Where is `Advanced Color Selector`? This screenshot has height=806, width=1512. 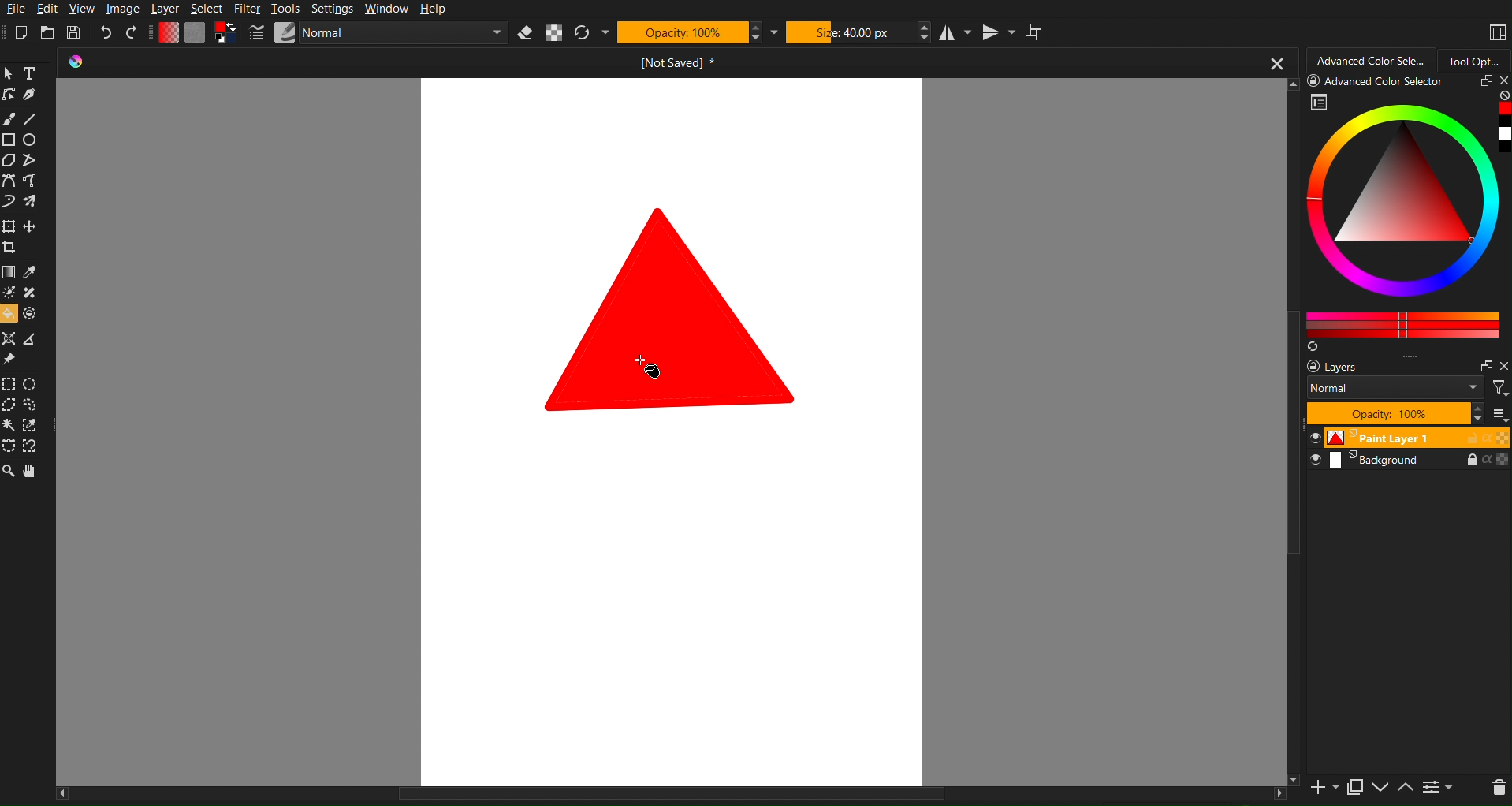 Advanced Color Selector is located at coordinates (1380, 82).